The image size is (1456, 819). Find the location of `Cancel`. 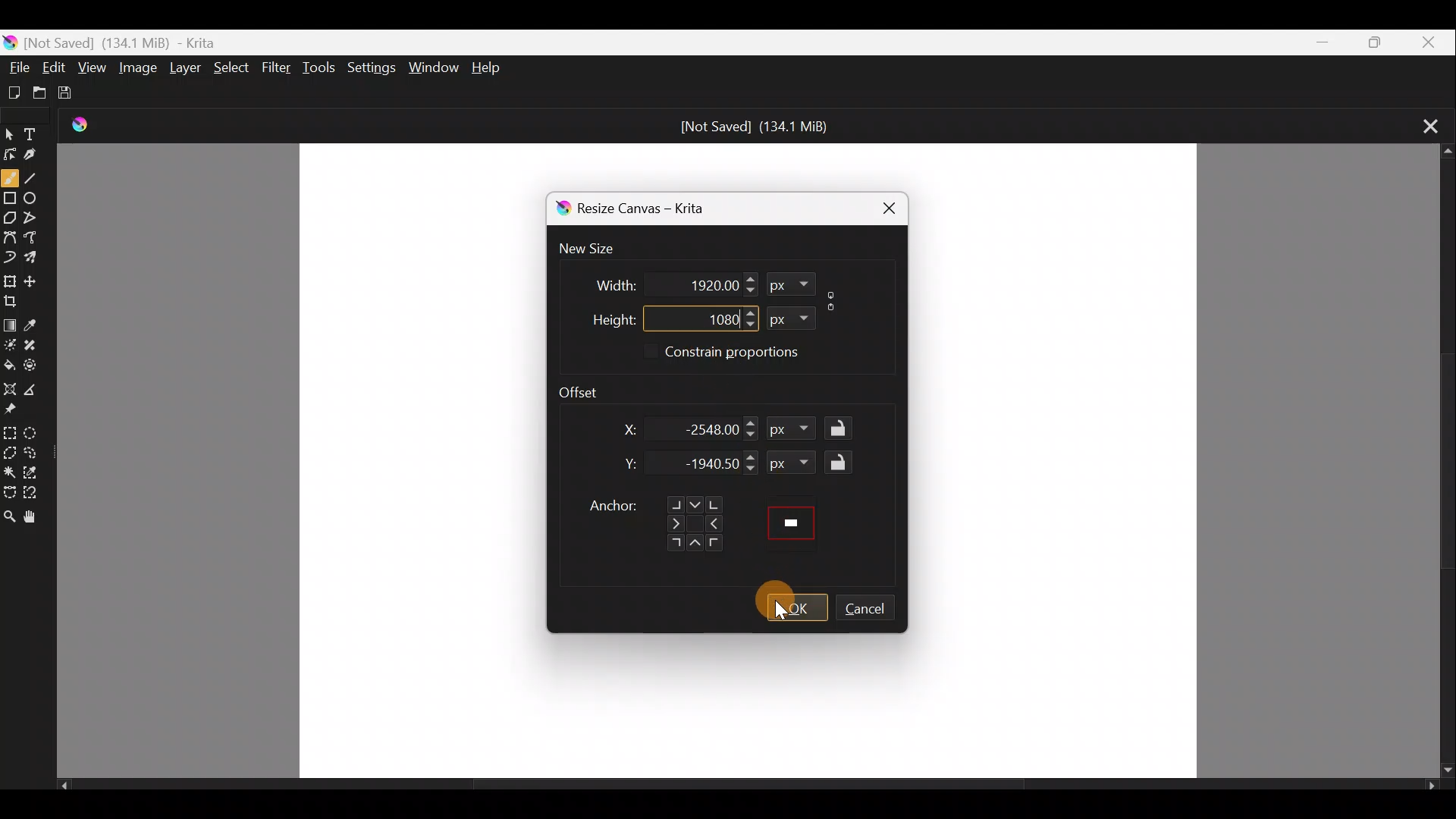

Cancel is located at coordinates (873, 610).